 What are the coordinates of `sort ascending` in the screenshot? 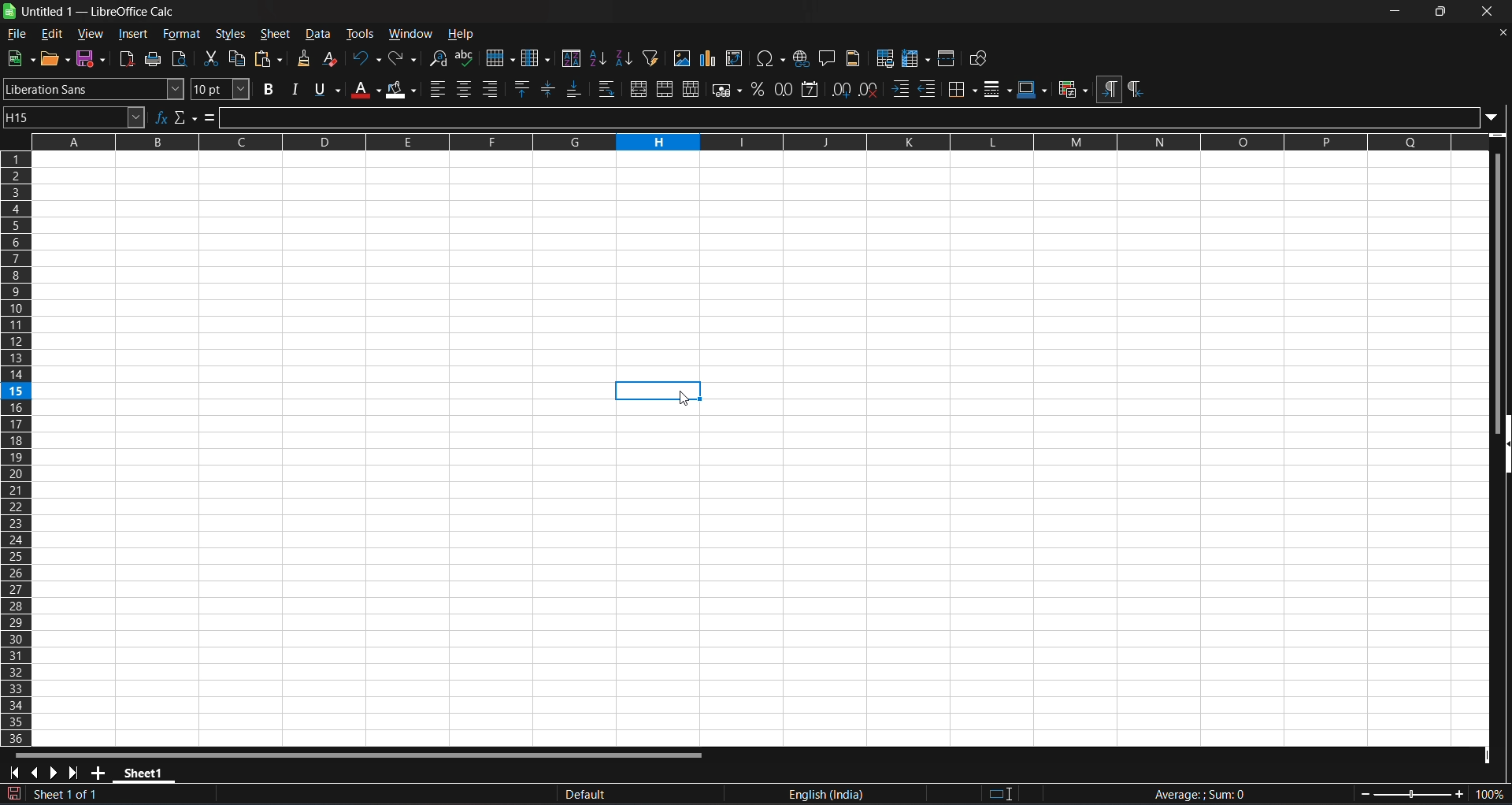 It's located at (598, 60).